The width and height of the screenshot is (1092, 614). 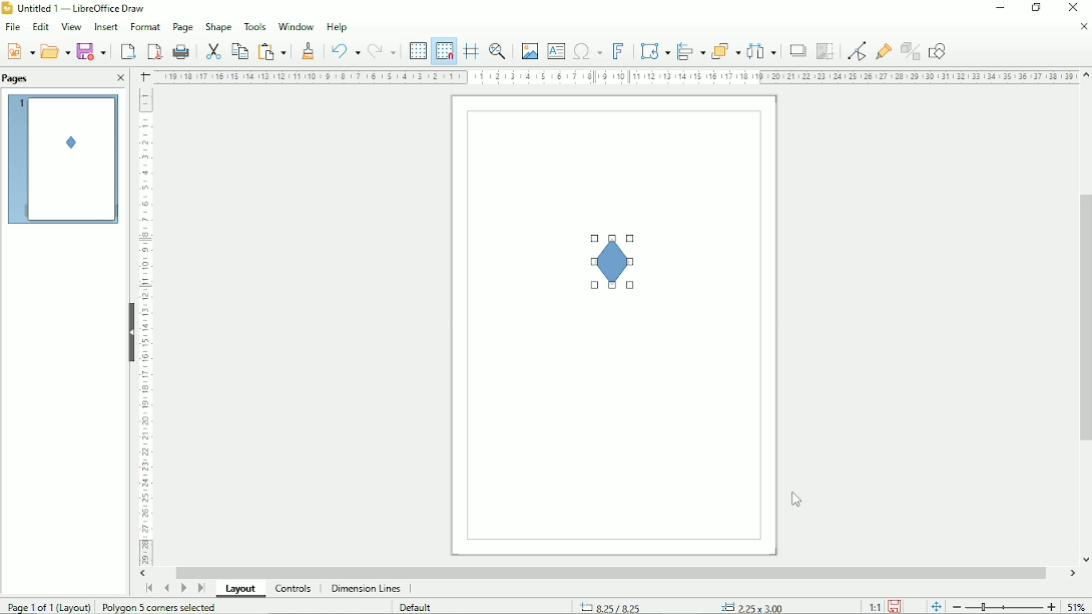 What do you see at coordinates (76, 9) in the screenshot?
I see `Title` at bounding box center [76, 9].